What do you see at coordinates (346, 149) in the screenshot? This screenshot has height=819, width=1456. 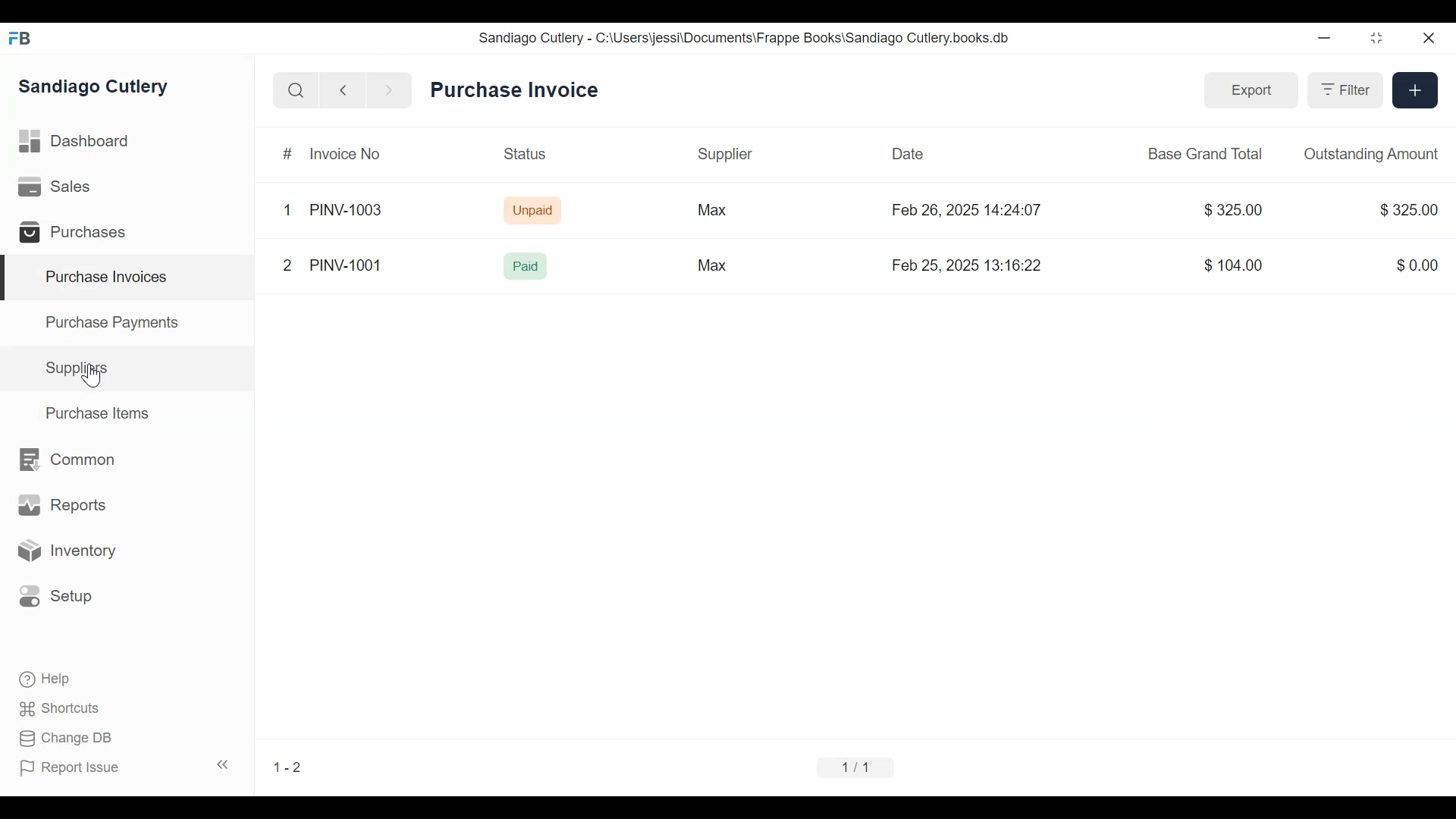 I see `Invoice No` at bounding box center [346, 149].